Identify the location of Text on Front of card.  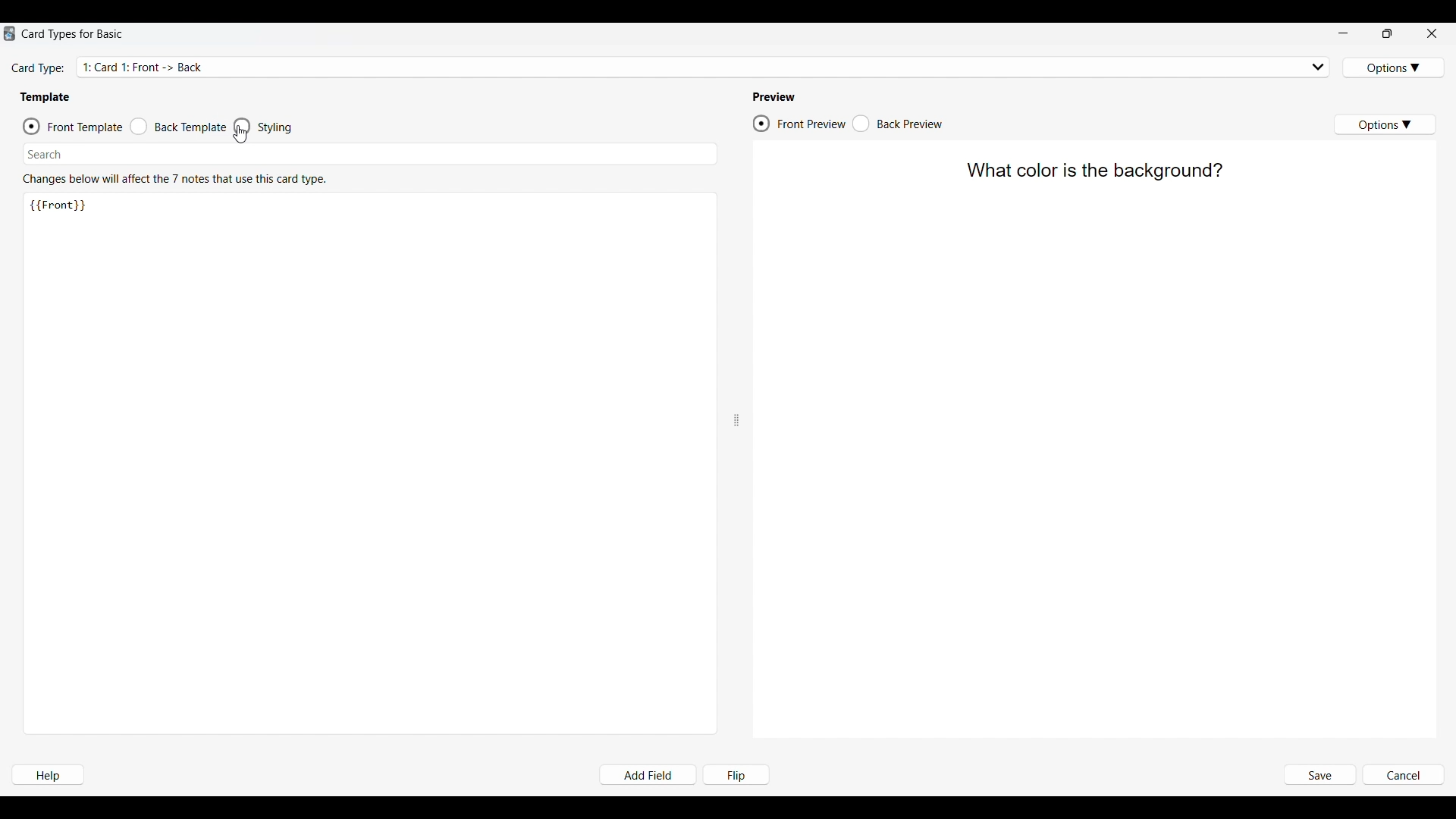
(67, 209).